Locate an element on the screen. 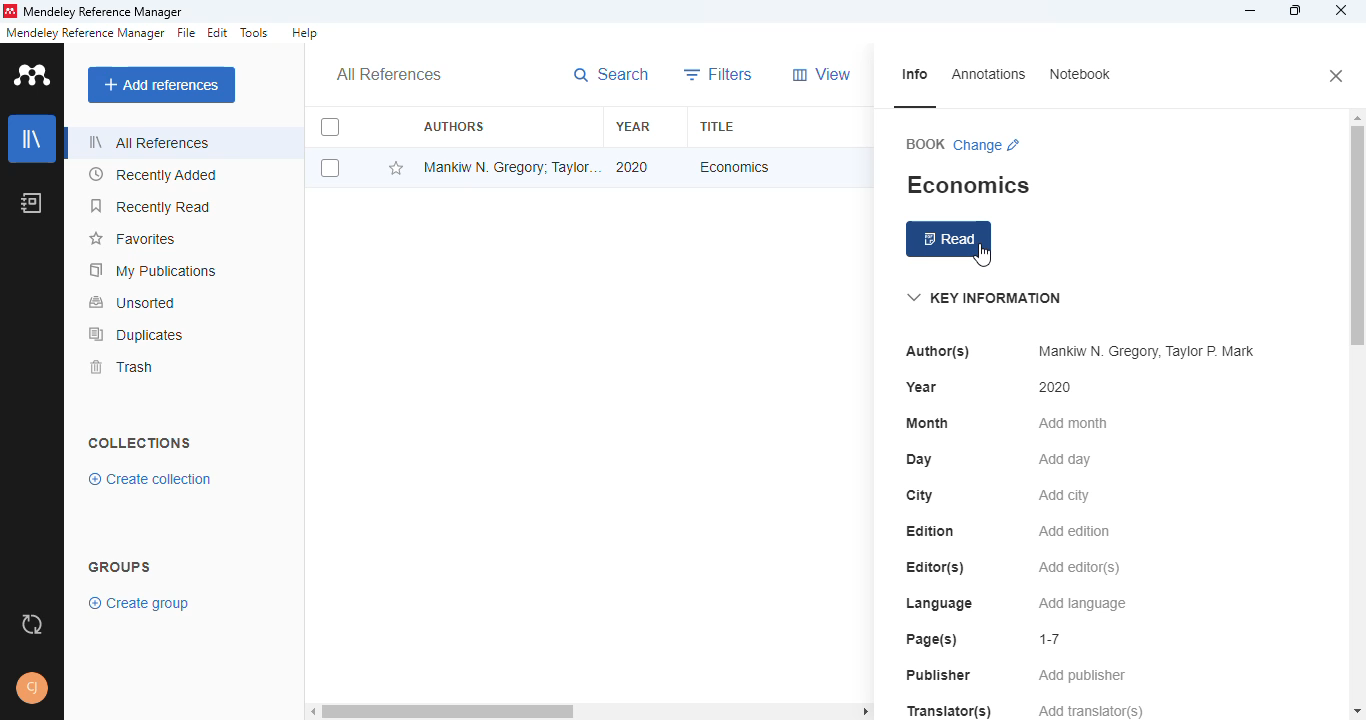 The width and height of the screenshot is (1366, 720). collections is located at coordinates (140, 442).